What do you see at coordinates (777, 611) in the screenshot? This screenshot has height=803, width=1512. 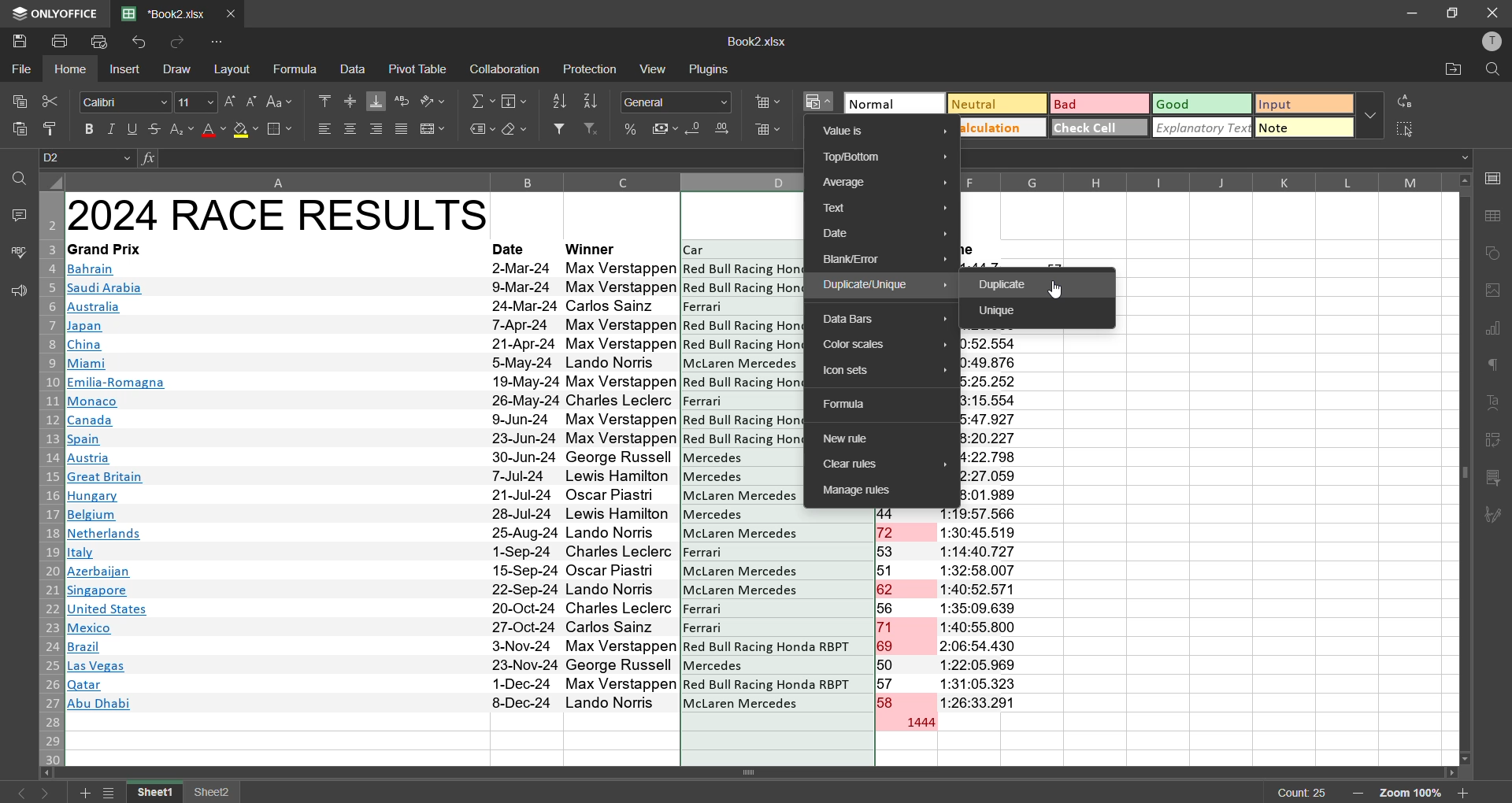 I see `car name` at bounding box center [777, 611].